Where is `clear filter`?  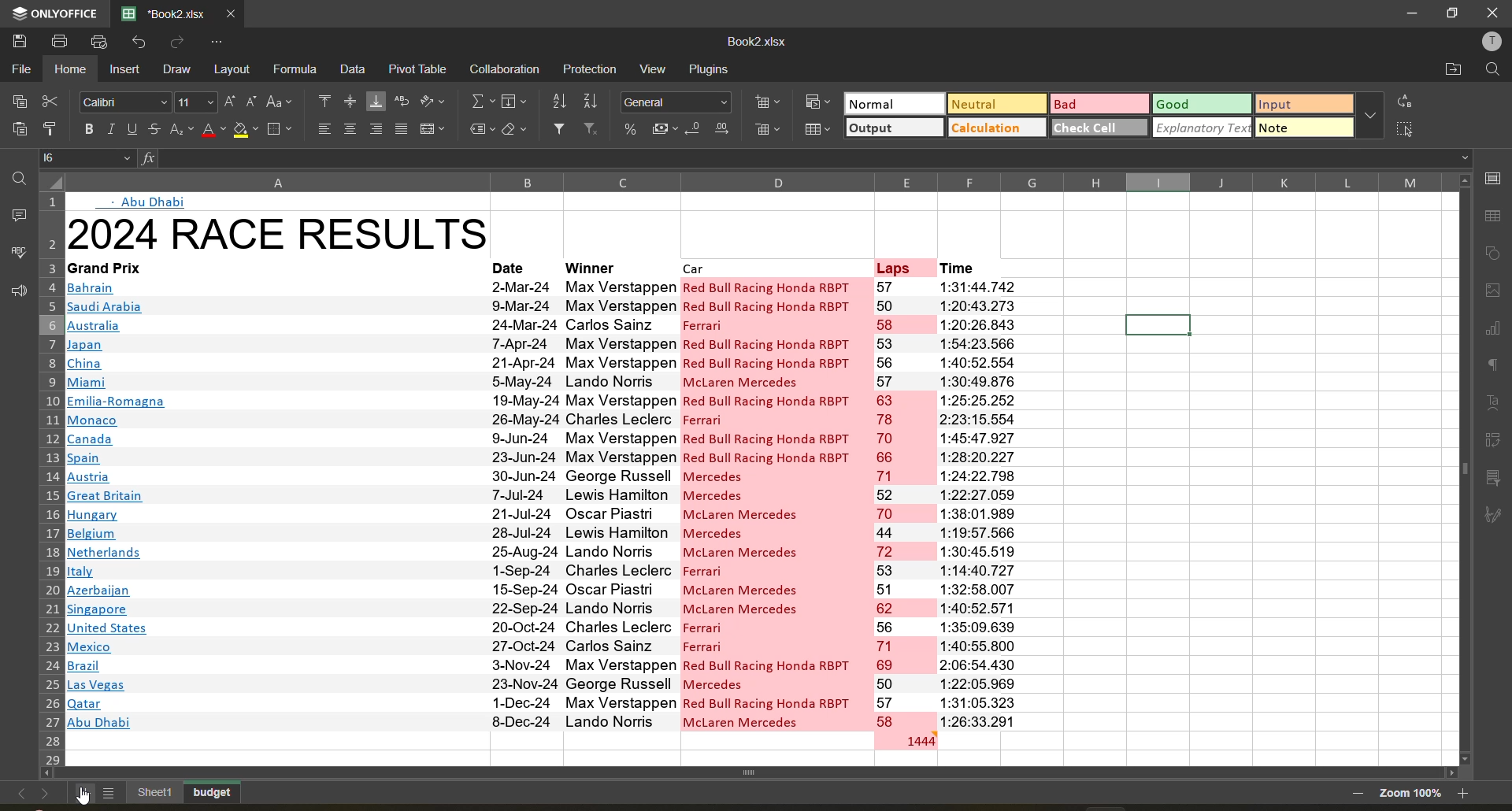
clear filter is located at coordinates (592, 129).